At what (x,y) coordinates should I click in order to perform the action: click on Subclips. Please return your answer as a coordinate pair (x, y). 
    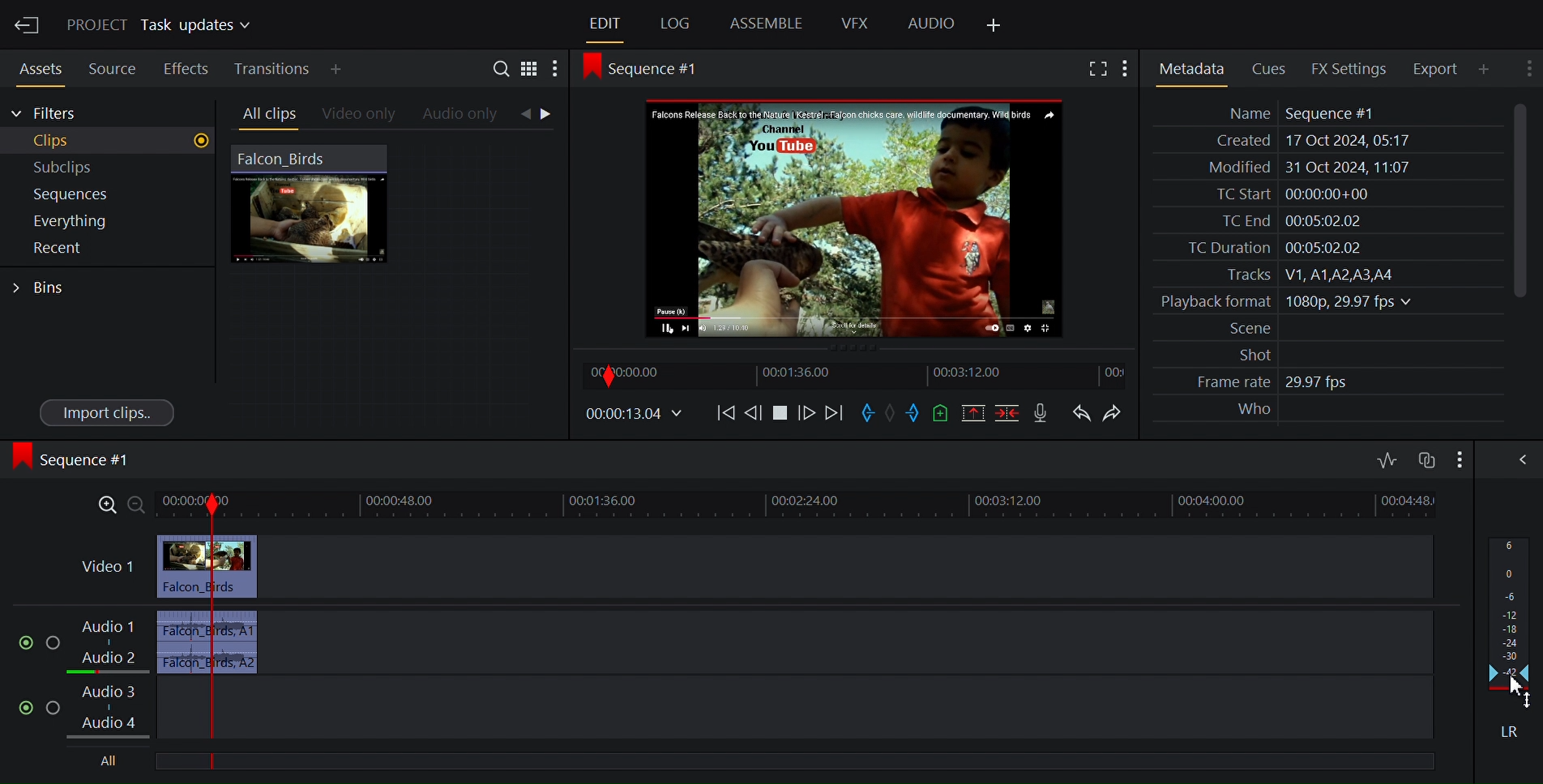
    Looking at the image, I should click on (104, 166).